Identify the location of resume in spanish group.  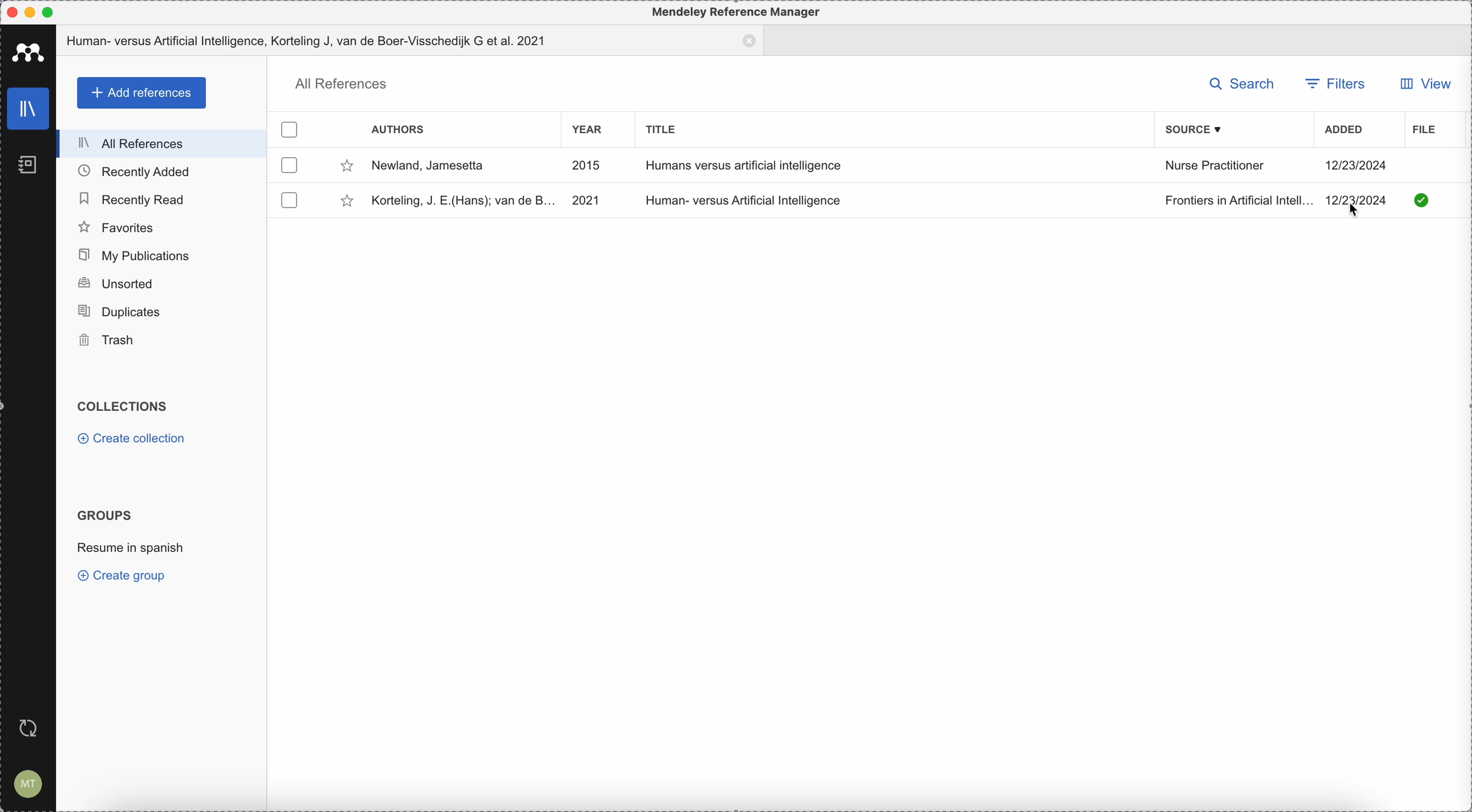
(131, 550).